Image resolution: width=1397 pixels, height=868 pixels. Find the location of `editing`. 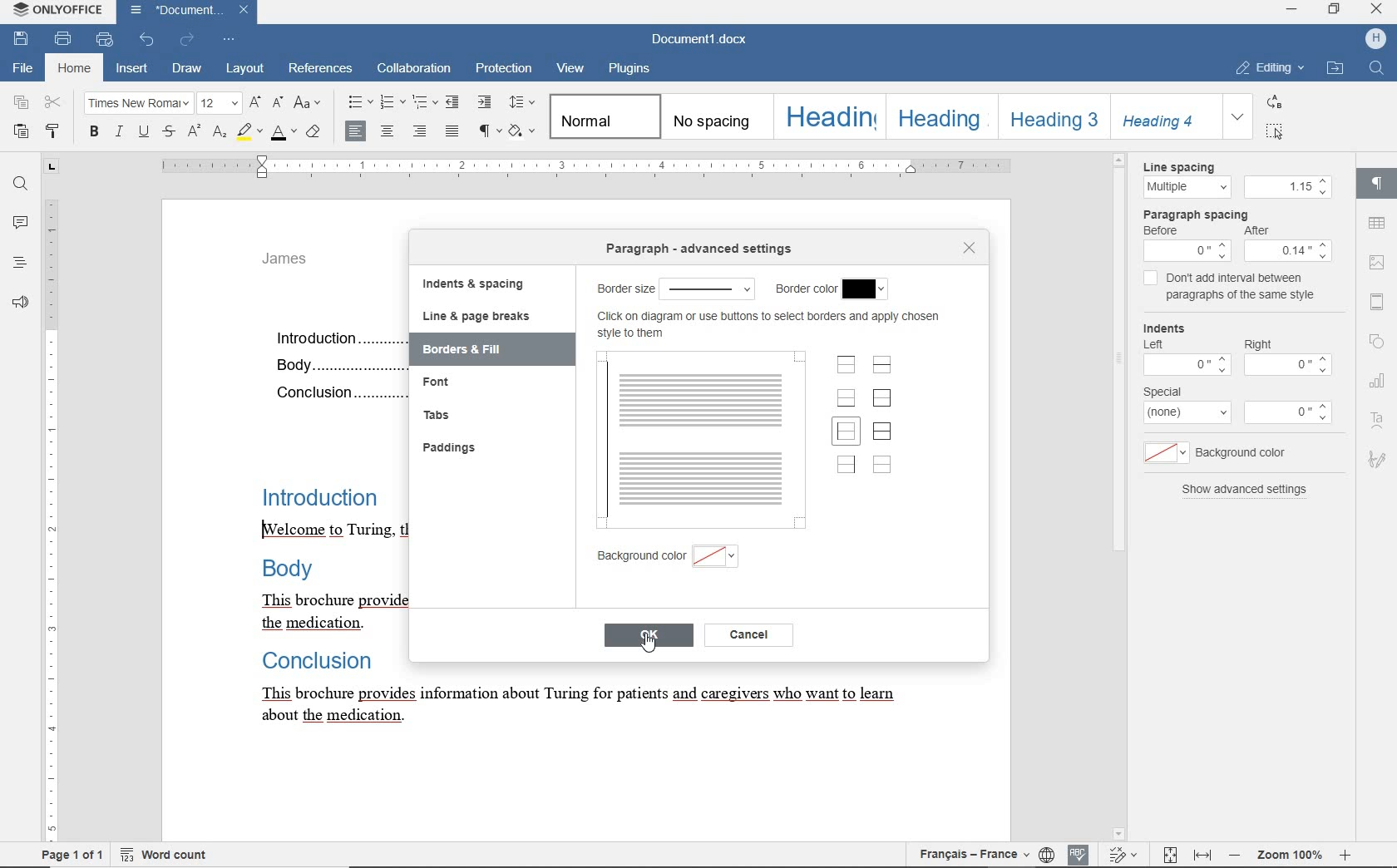

editing is located at coordinates (1271, 68).